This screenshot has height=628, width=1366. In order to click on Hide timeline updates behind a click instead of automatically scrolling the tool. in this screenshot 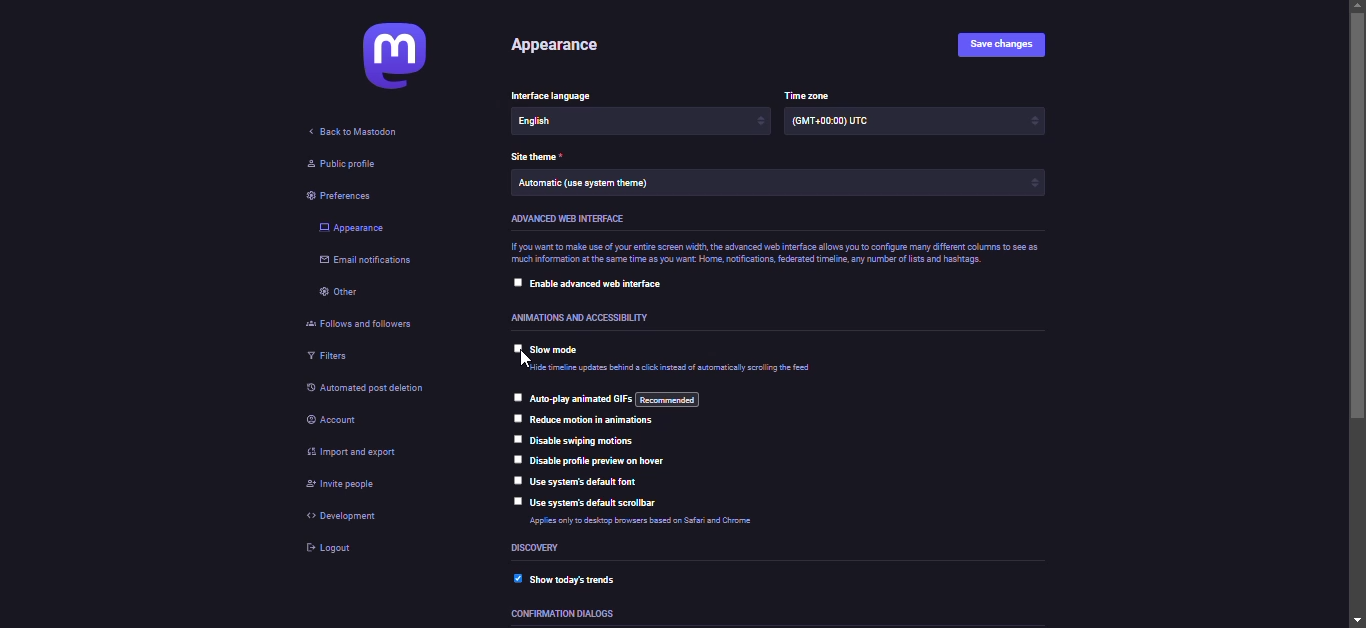, I will do `click(664, 368)`.